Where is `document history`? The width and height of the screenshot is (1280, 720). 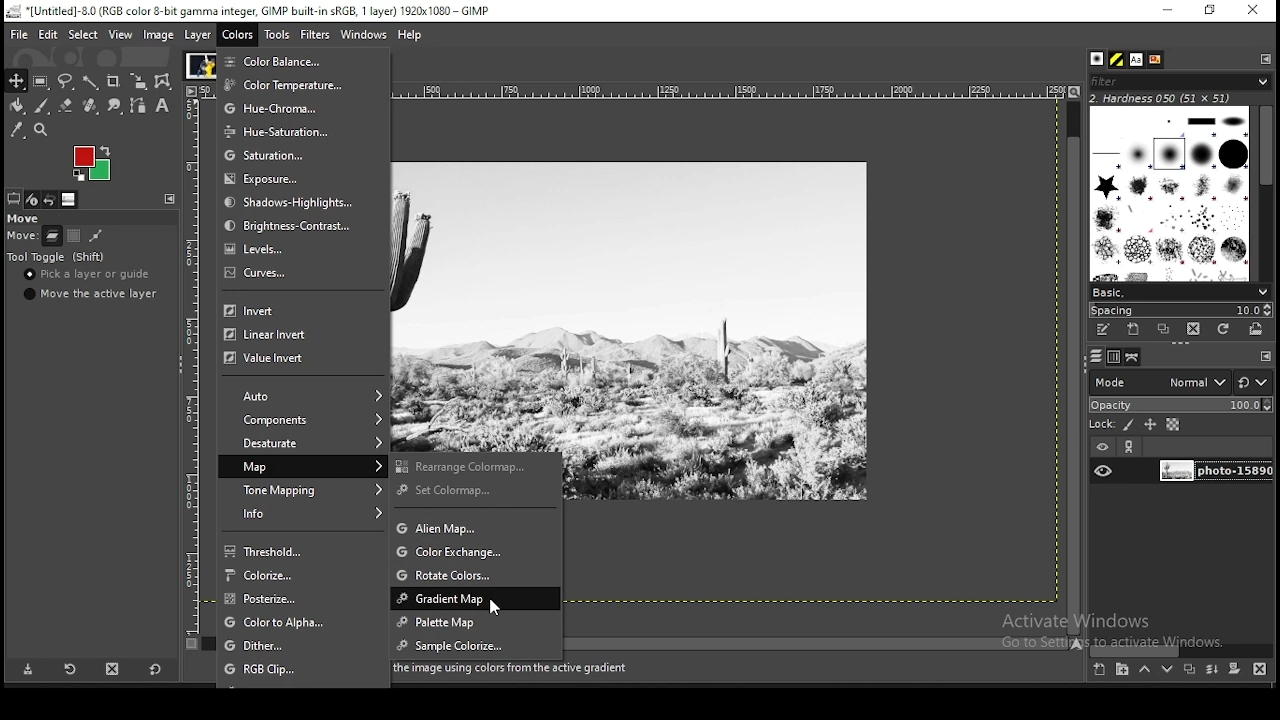 document history is located at coordinates (1156, 60).